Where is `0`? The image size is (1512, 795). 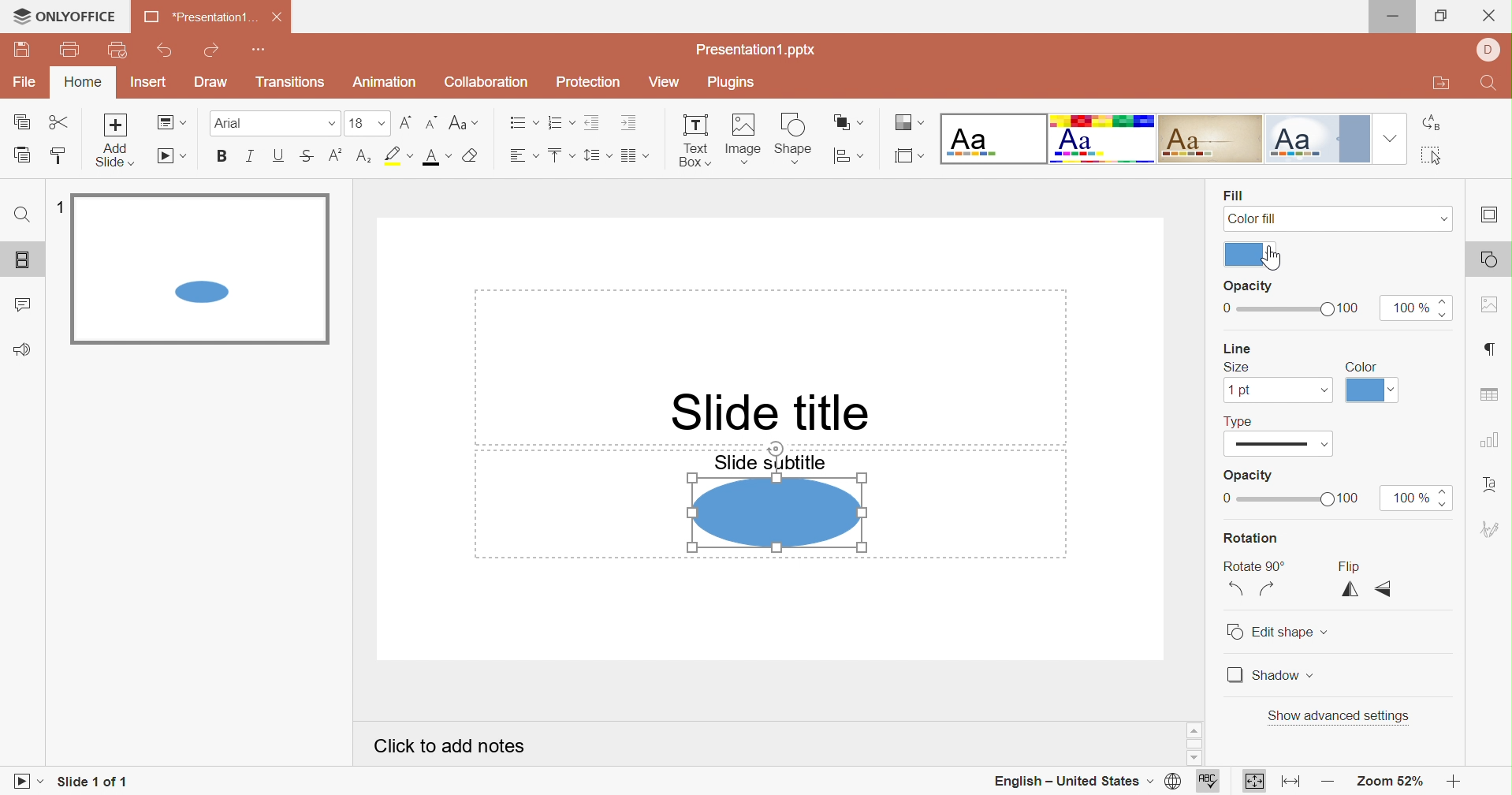
0 is located at coordinates (1226, 309).